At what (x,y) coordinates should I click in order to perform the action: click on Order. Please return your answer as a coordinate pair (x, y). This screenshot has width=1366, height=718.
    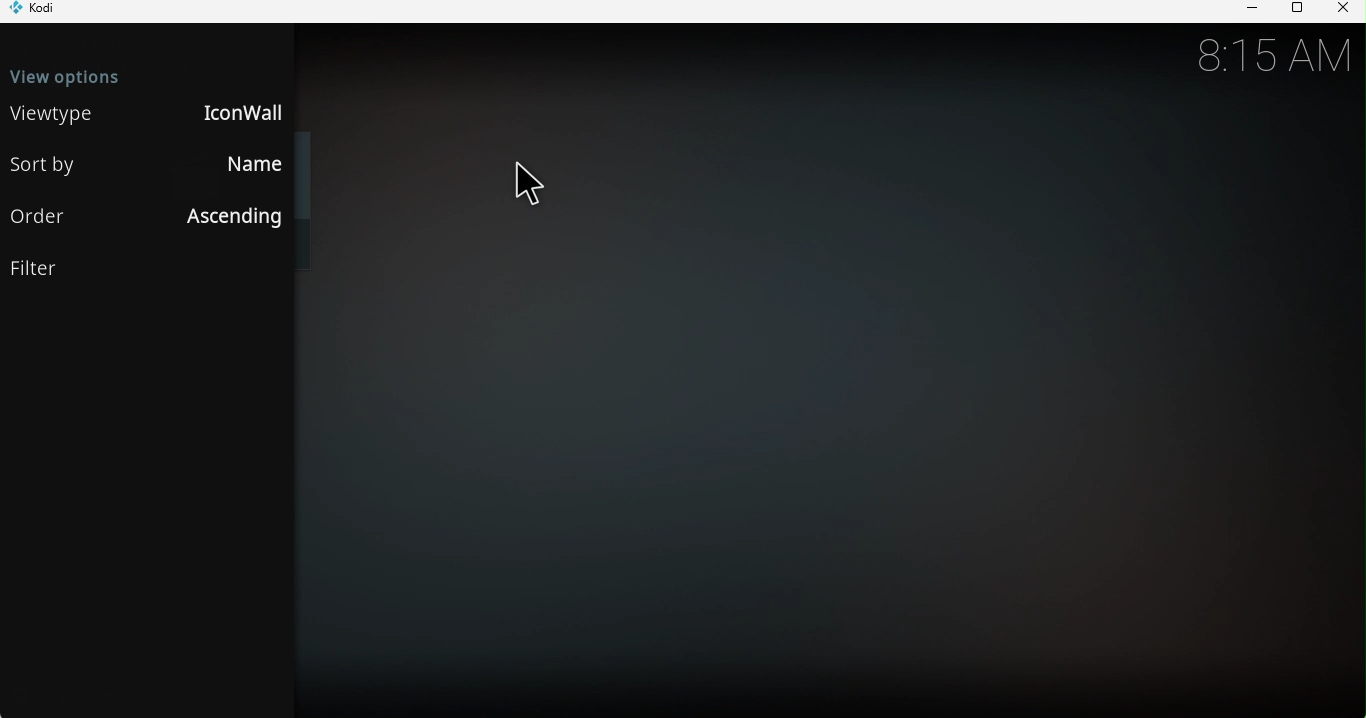
    Looking at the image, I should click on (44, 218).